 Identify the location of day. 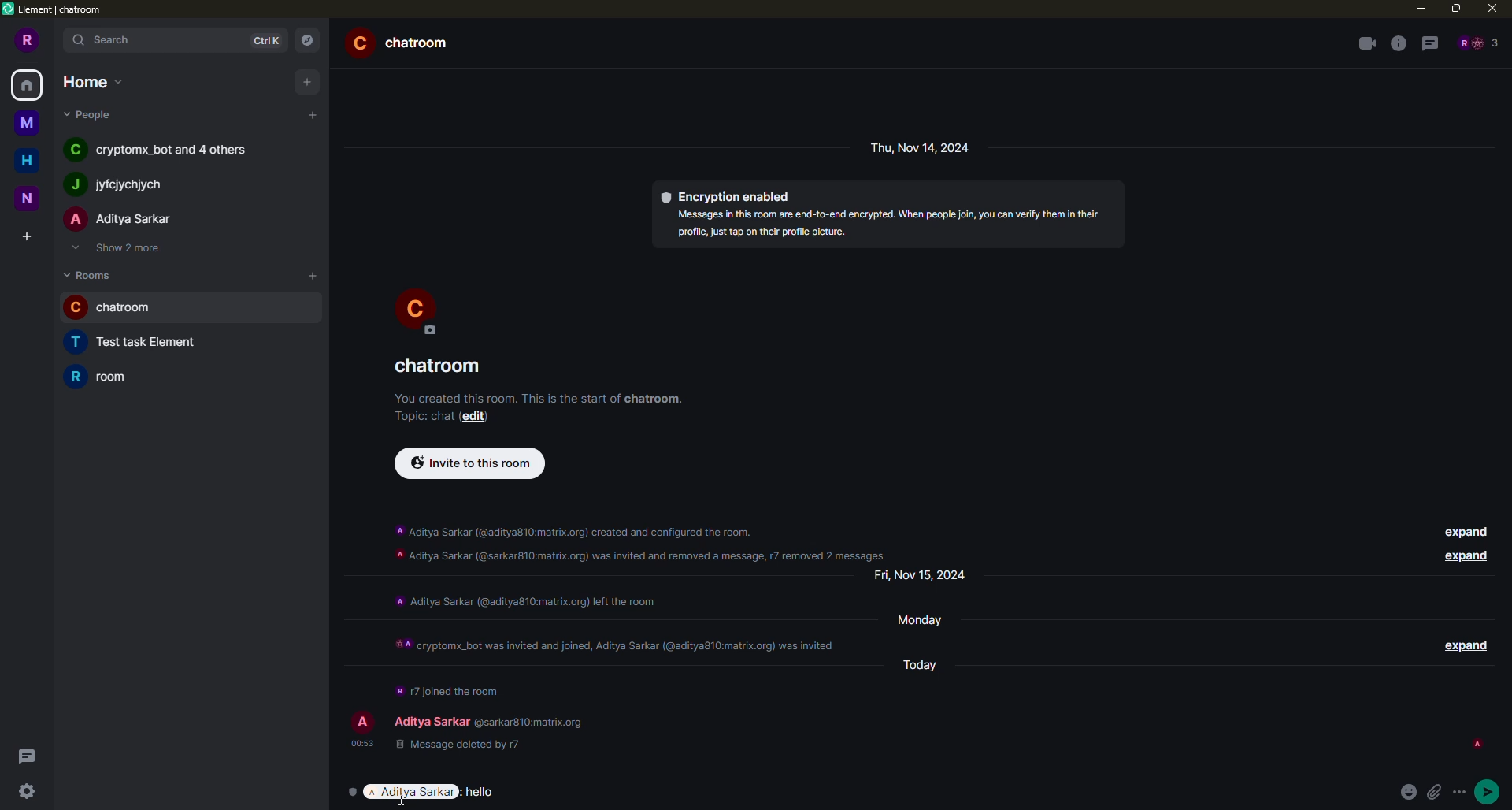
(927, 575).